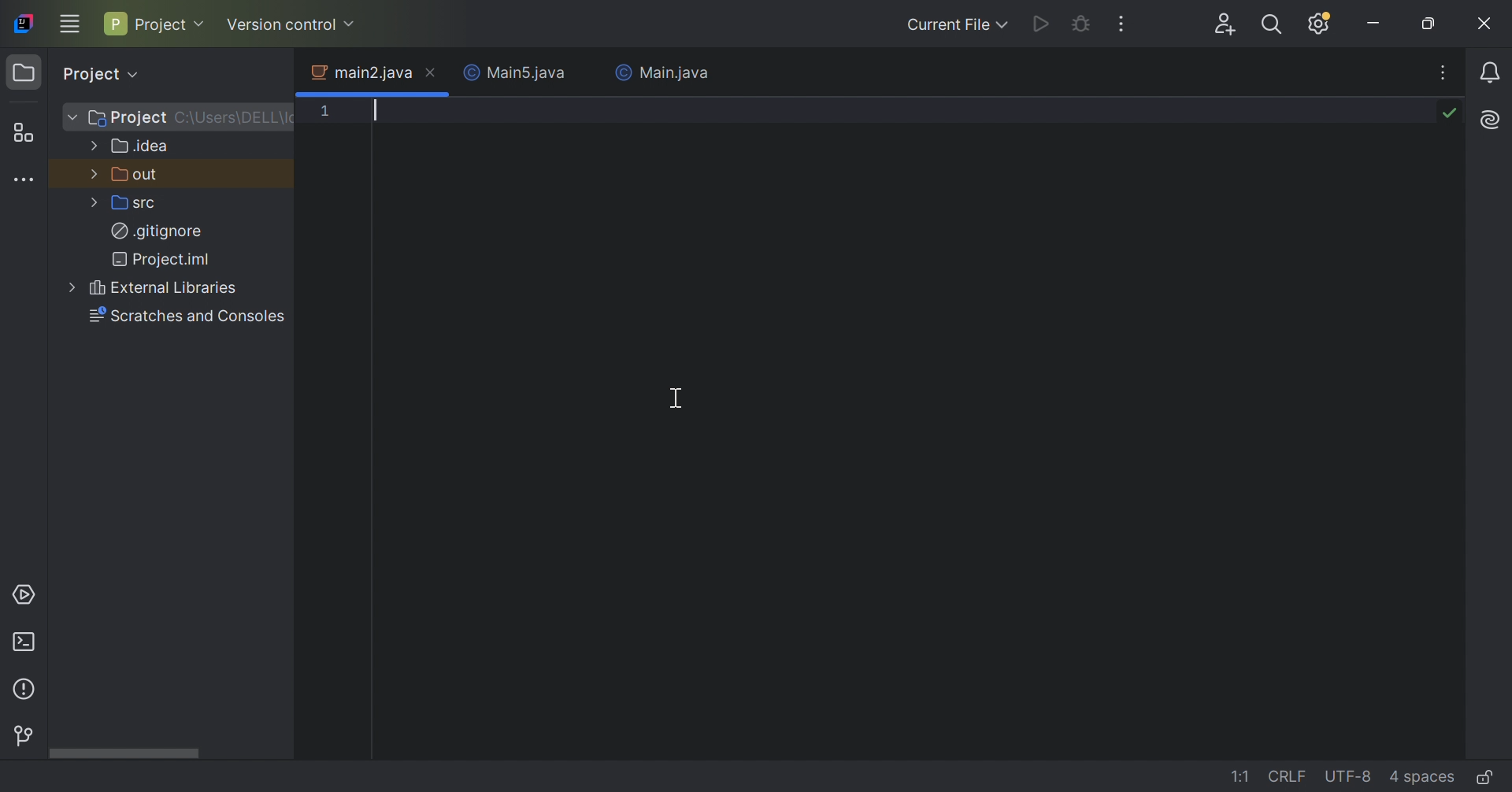  Describe the element at coordinates (137, 174) in the screenshot. I see `out` at that location.